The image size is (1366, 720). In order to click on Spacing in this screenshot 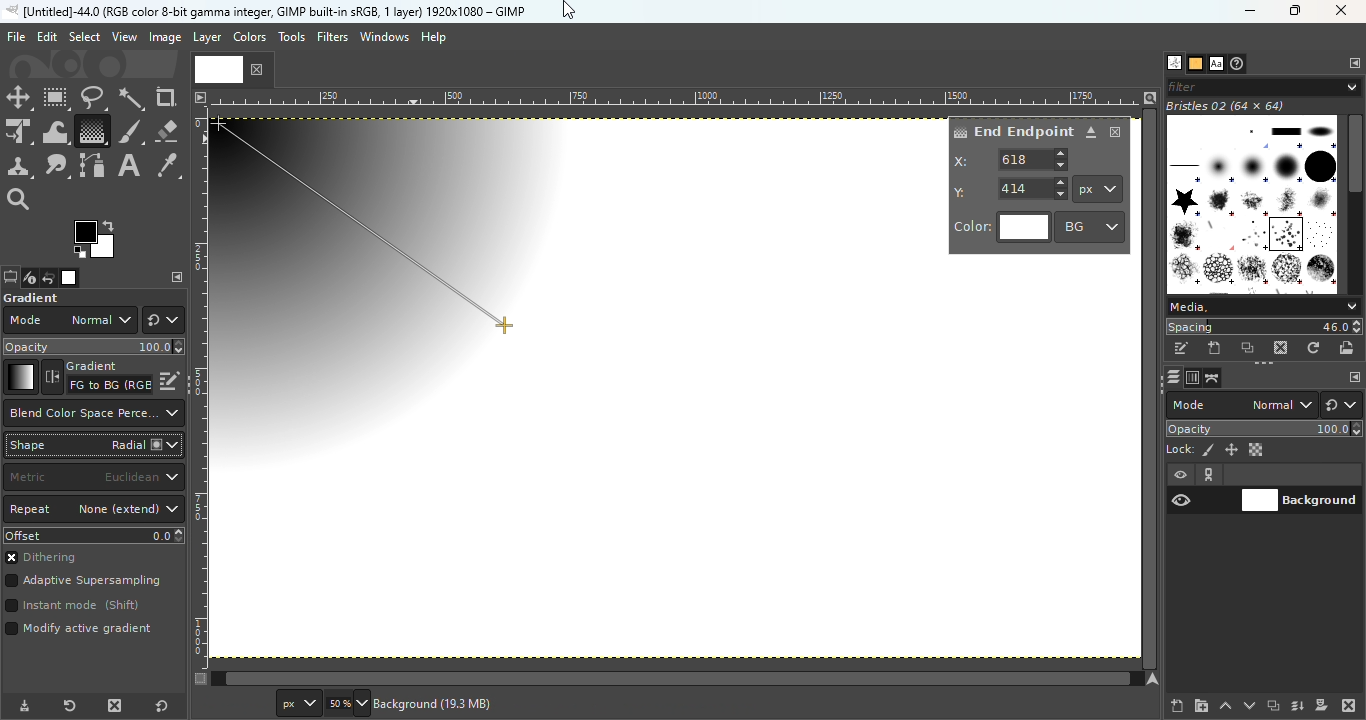, I will do `click(1264, 327)`.